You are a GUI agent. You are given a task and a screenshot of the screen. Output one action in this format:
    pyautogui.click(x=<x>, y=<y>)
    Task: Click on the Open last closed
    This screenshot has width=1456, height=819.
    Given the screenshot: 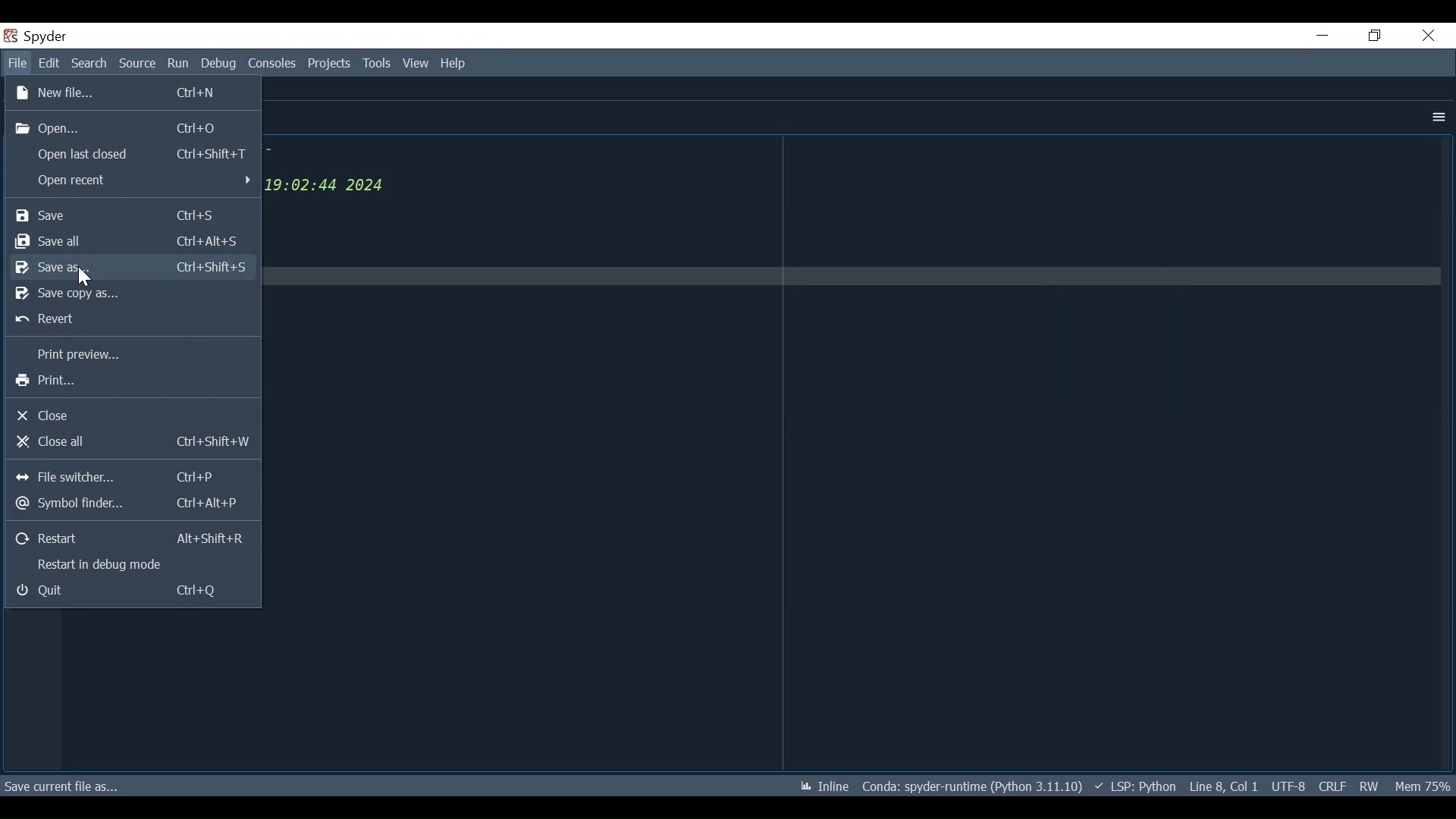 What is the action you would take?
    pyautogui.click(x=131, y=153)
    